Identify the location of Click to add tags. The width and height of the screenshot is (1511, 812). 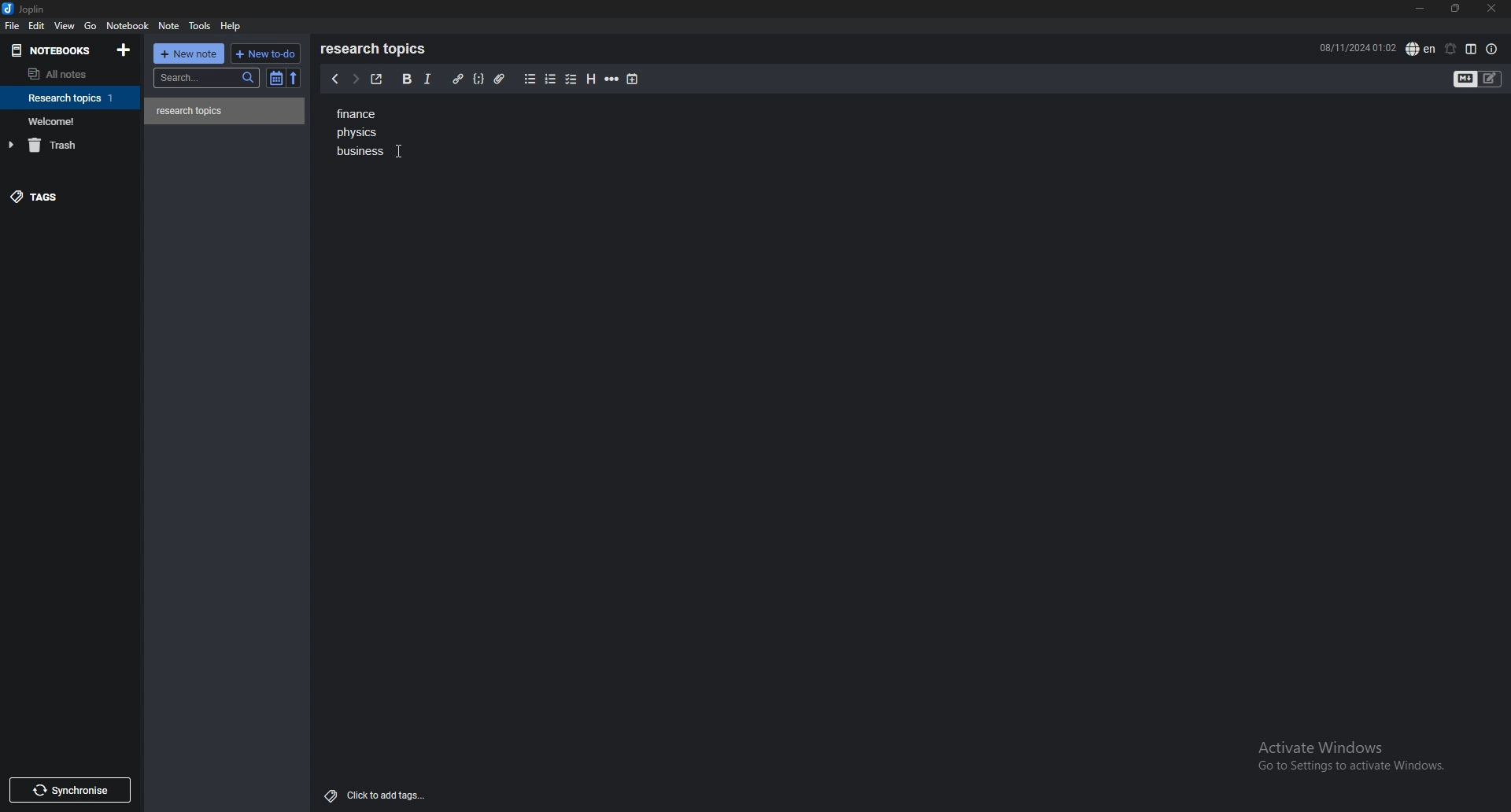
(371, 795).